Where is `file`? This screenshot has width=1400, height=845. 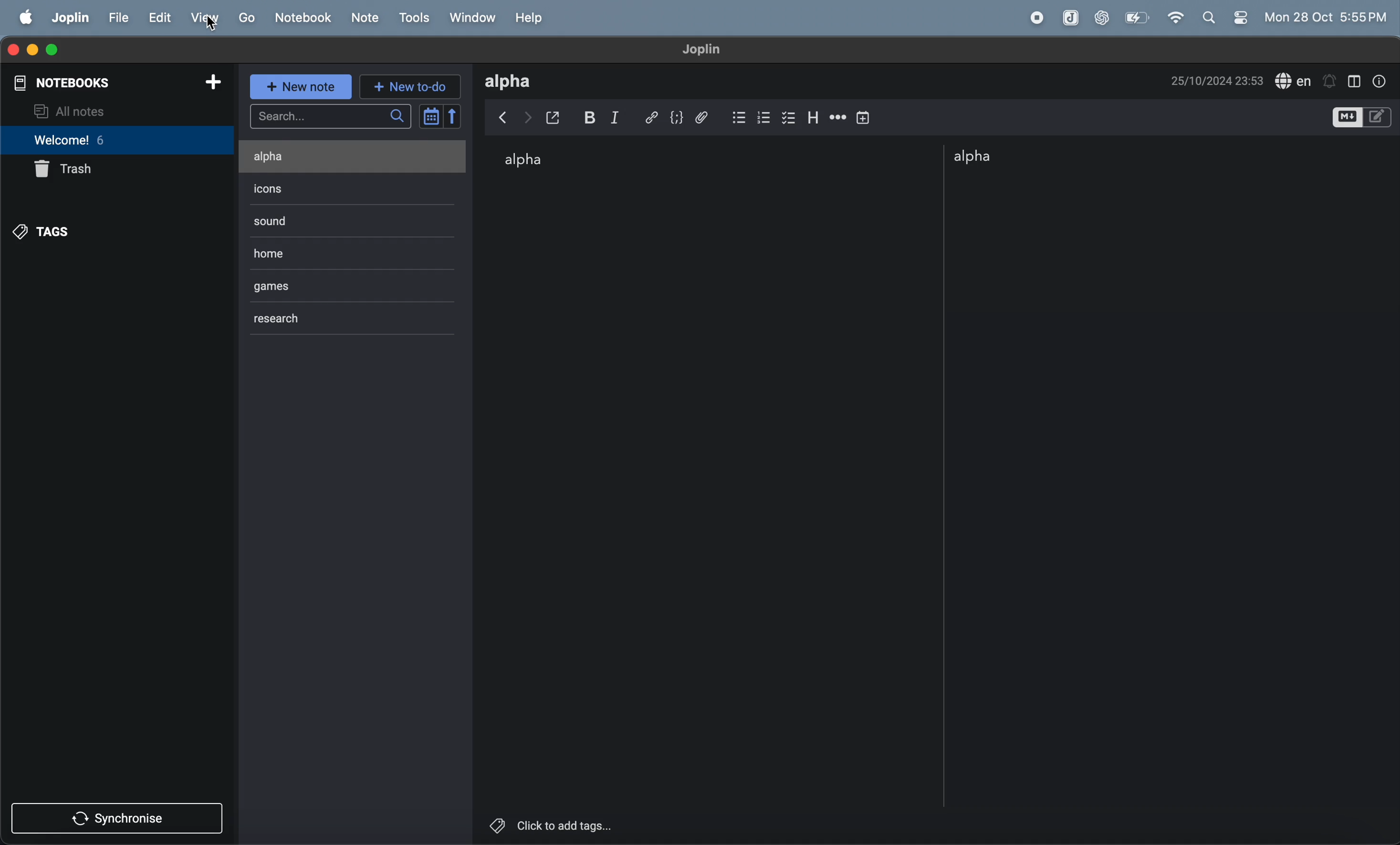
file is located at coordinates (119, 19).